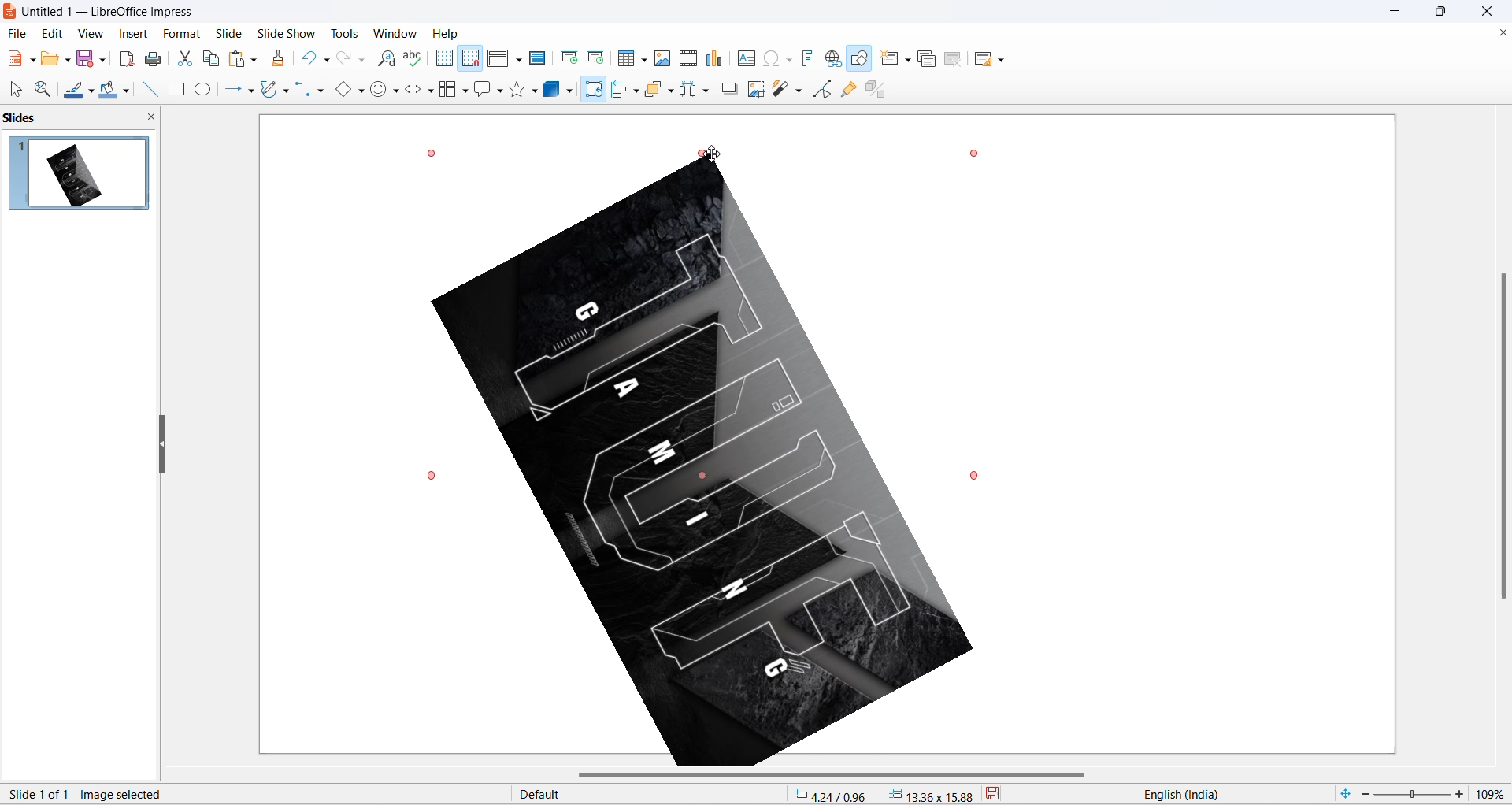 The width and height of the screenshot is (1512, 805). I want to click on align options, so click(636, 90).